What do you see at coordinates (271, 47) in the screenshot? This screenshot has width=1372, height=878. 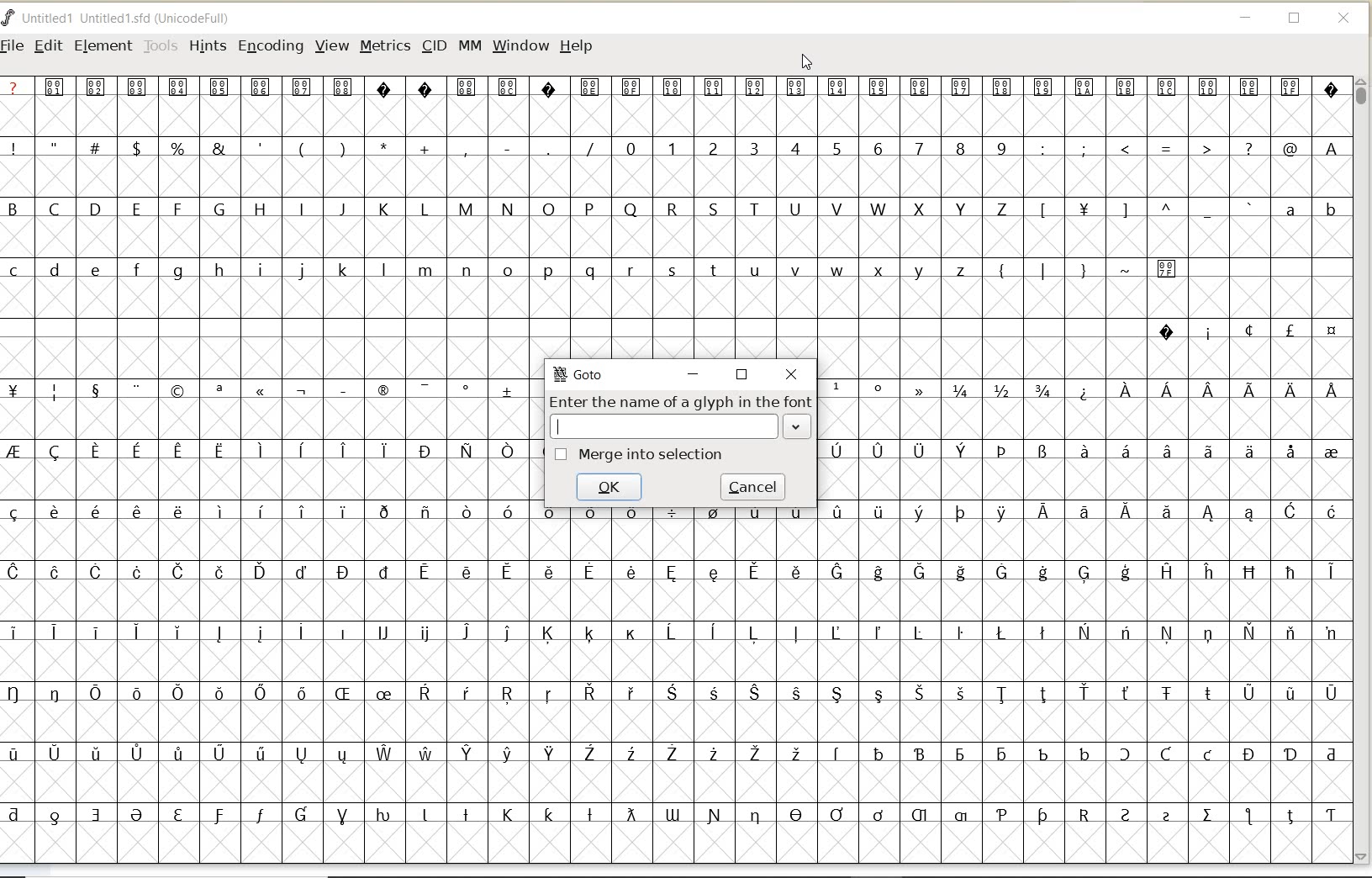 I see `ENCODING` at bounding box center [271, 47].